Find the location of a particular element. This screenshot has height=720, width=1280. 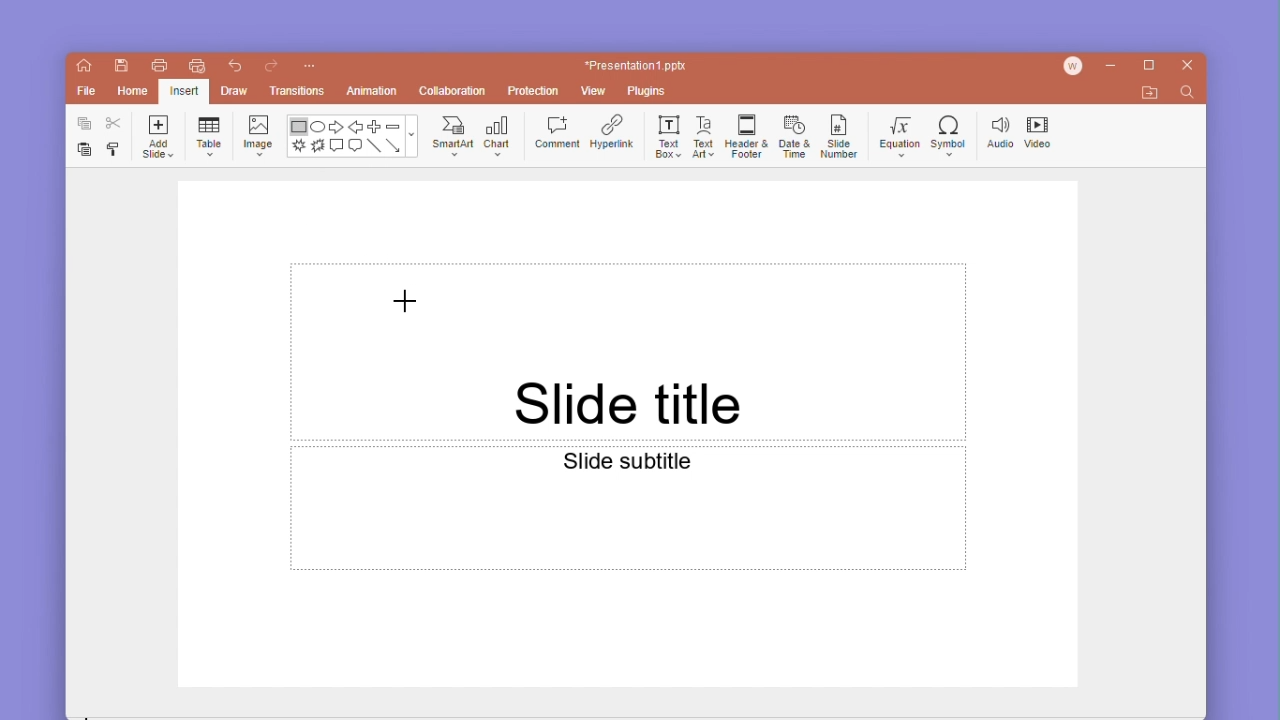

collaboration is located at coordinates (453, 90).